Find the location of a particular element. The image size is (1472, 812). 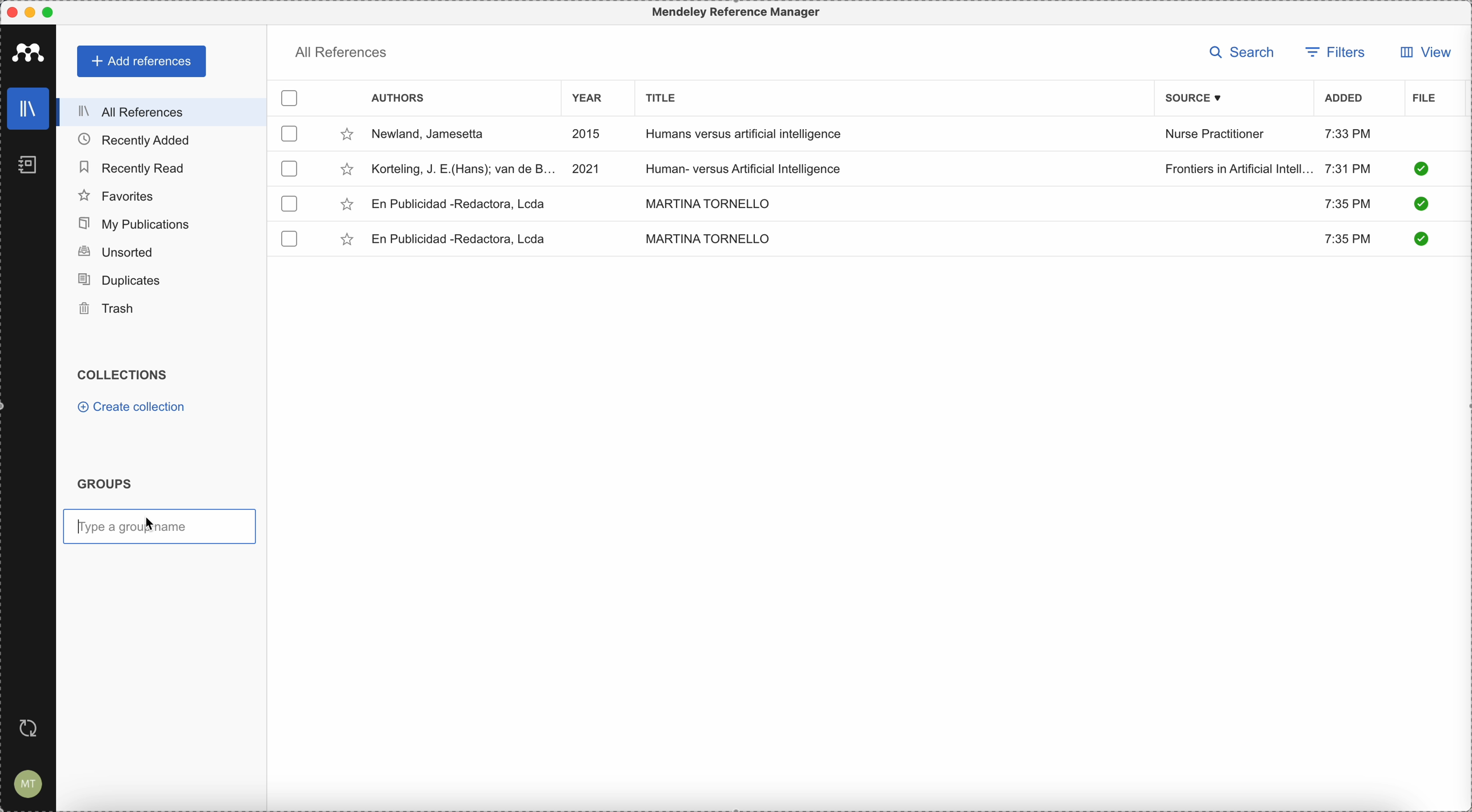

Humans versus artificial intelligence is located at coordinates (745, 135).